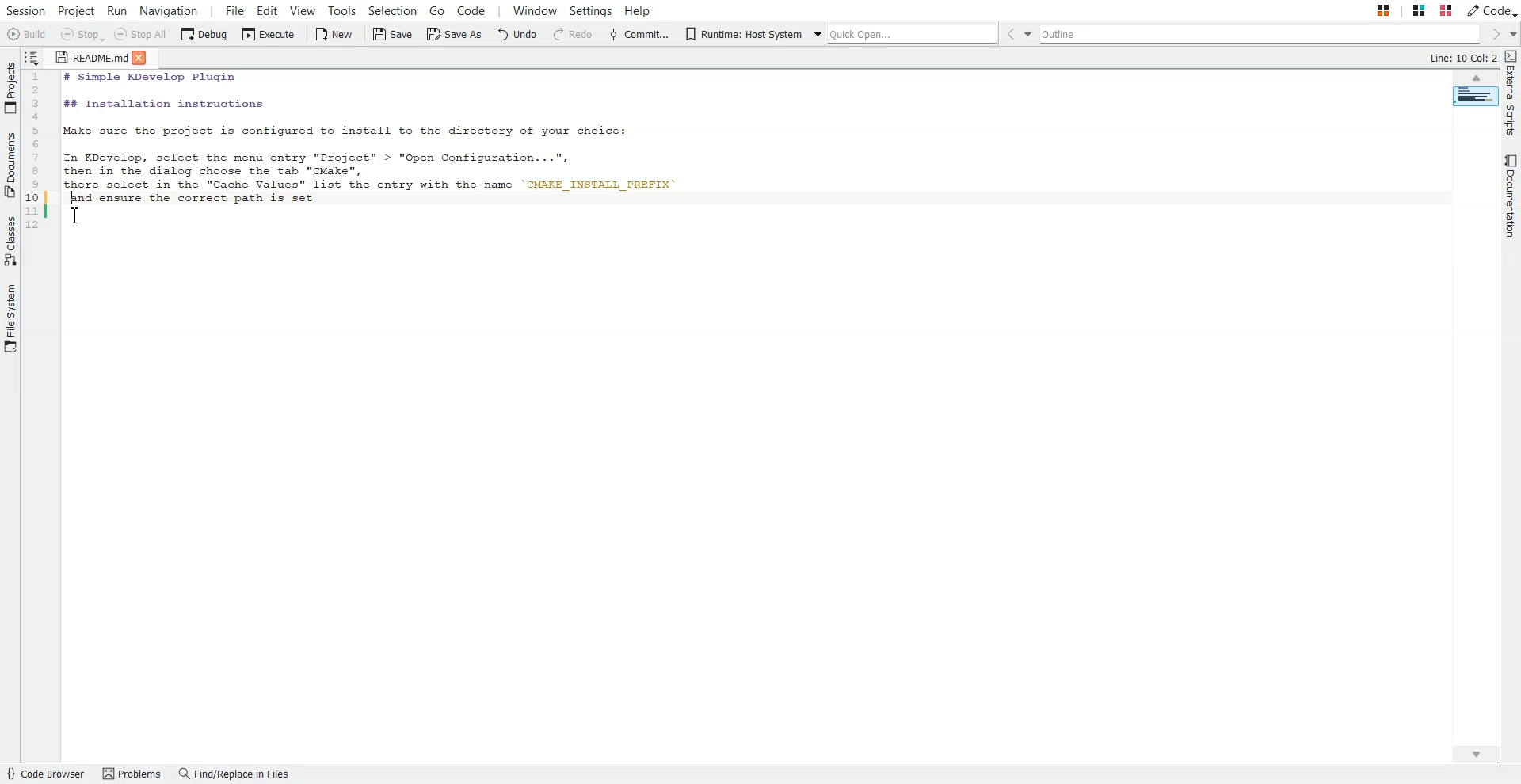 The width and height of the screenshot is (1521, 784). Describe the element at coordinates (343, 10) in the screenshot. I see `Tools` at that location.